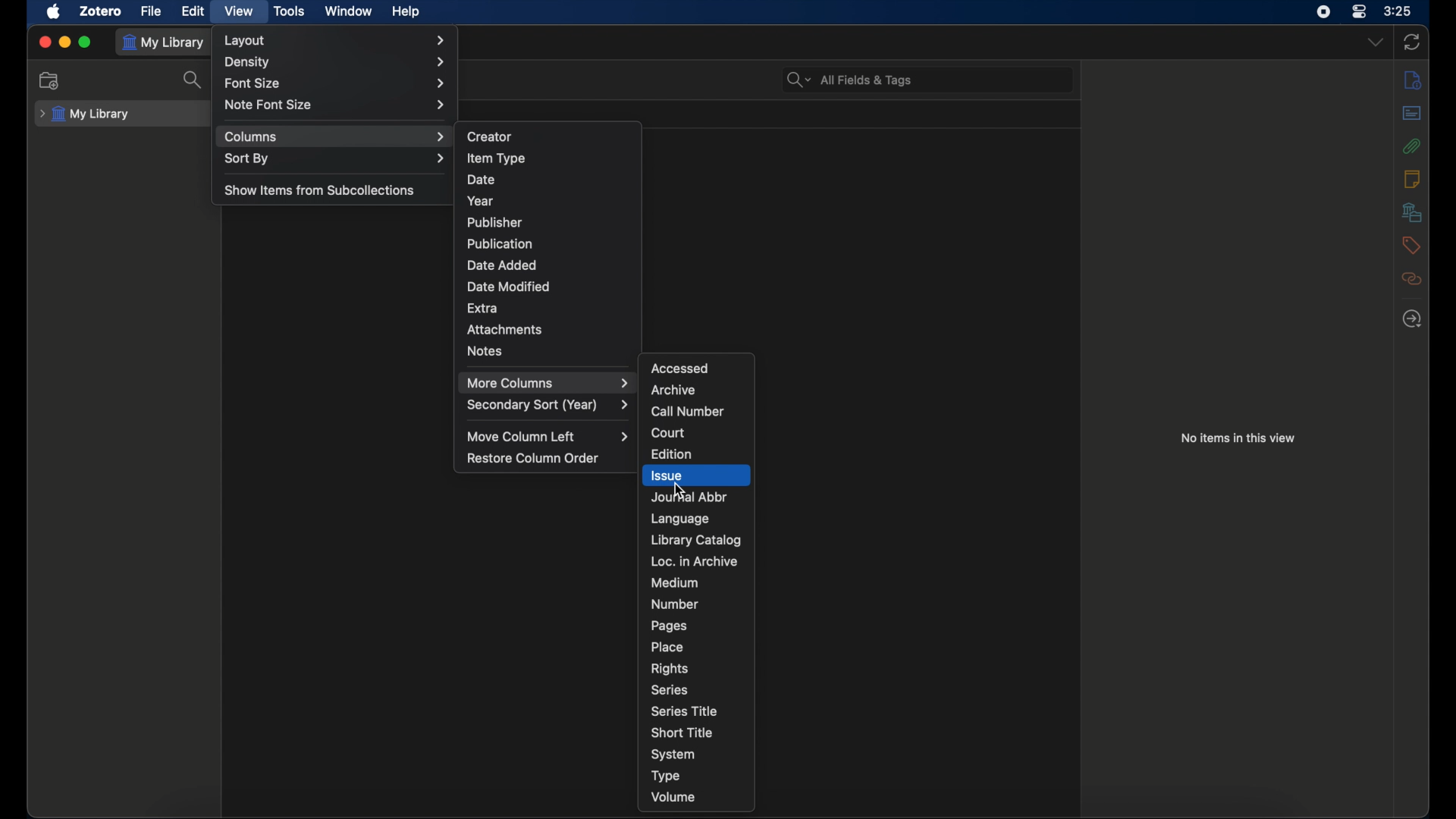 The height and width of the screenshot is (819, 1456). Describe the element at coordinates (677, 488) in the screenshot. I see `Cursor` at that location.